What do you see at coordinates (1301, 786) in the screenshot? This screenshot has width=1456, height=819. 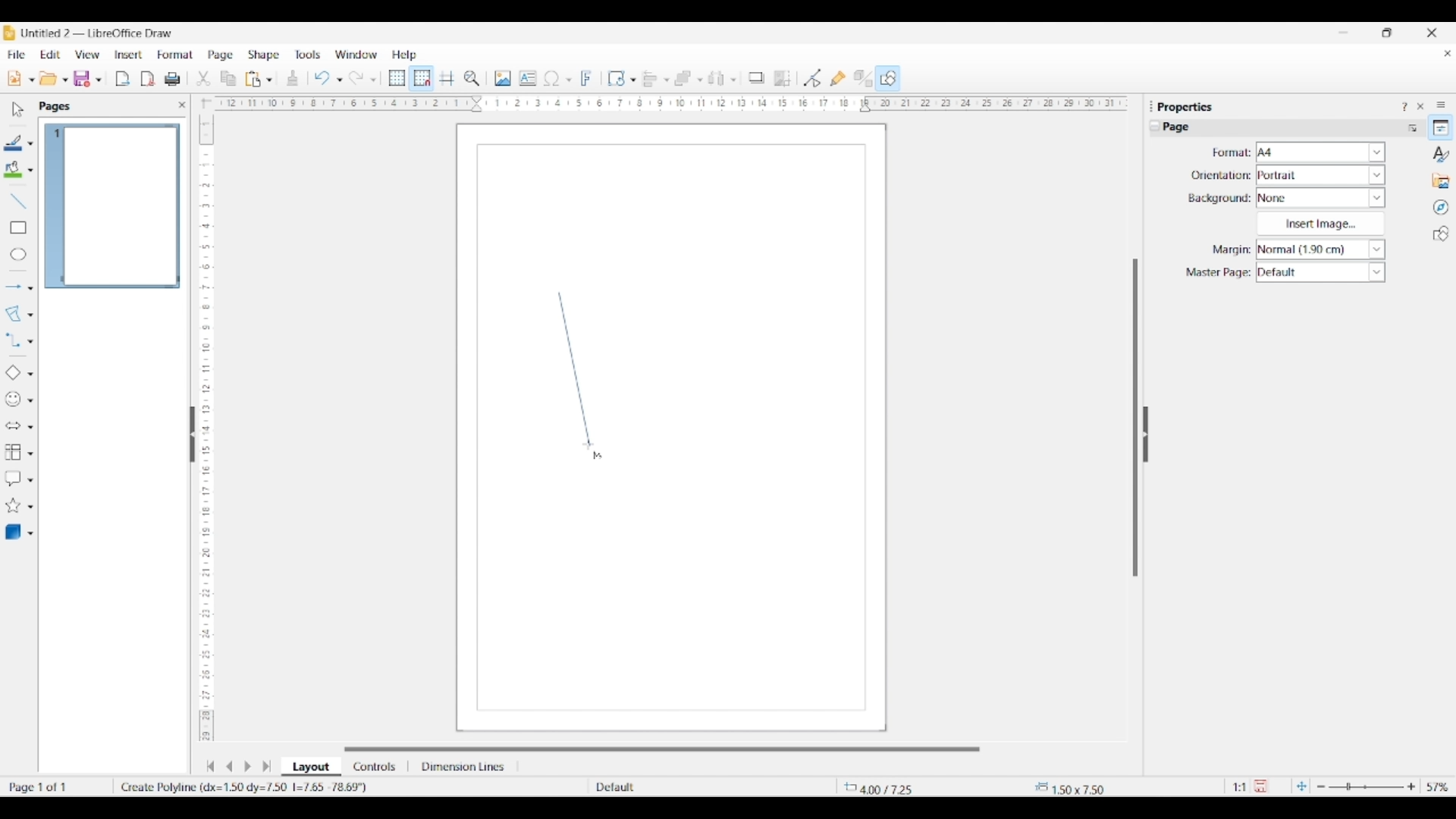 I see `Fit page to current window` at bounding box center [1301, 786].